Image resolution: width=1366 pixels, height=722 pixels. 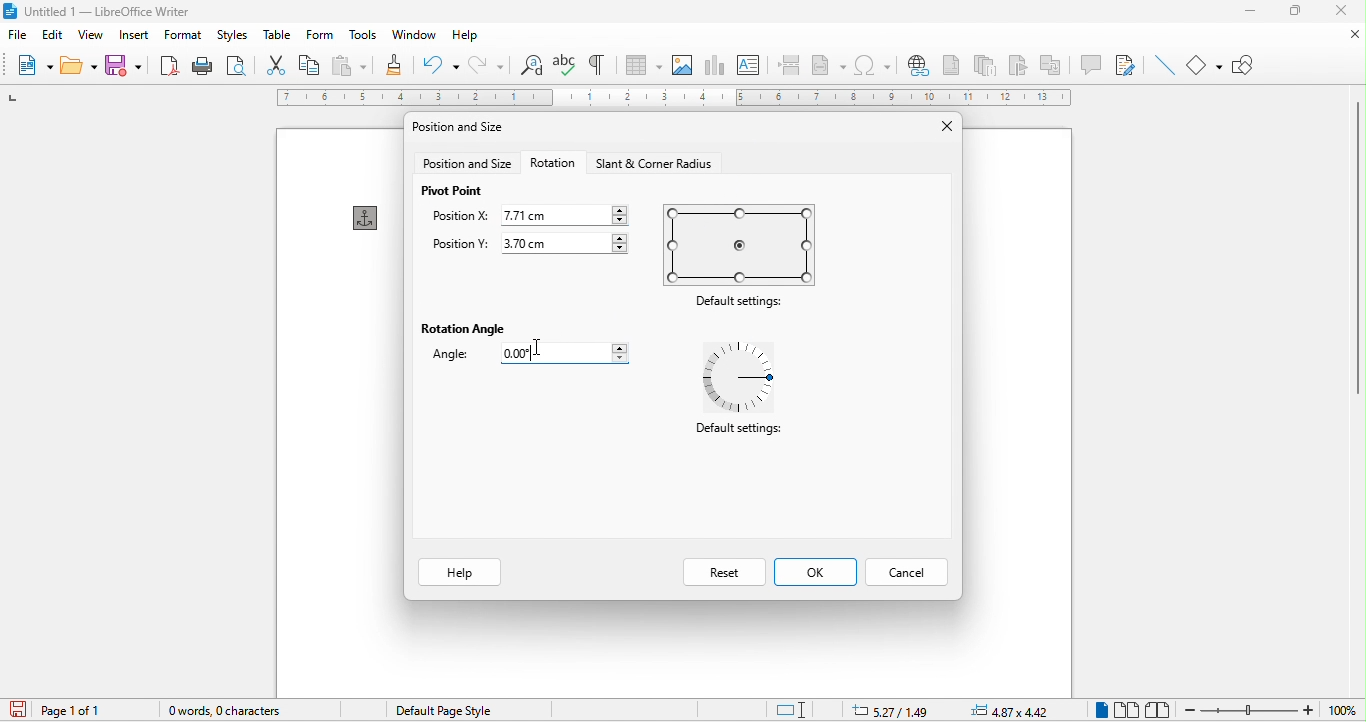 What do you see at coordinates (748, 303) in the screenshot?
I see `Default settings:` at bounding box center [748, 303].